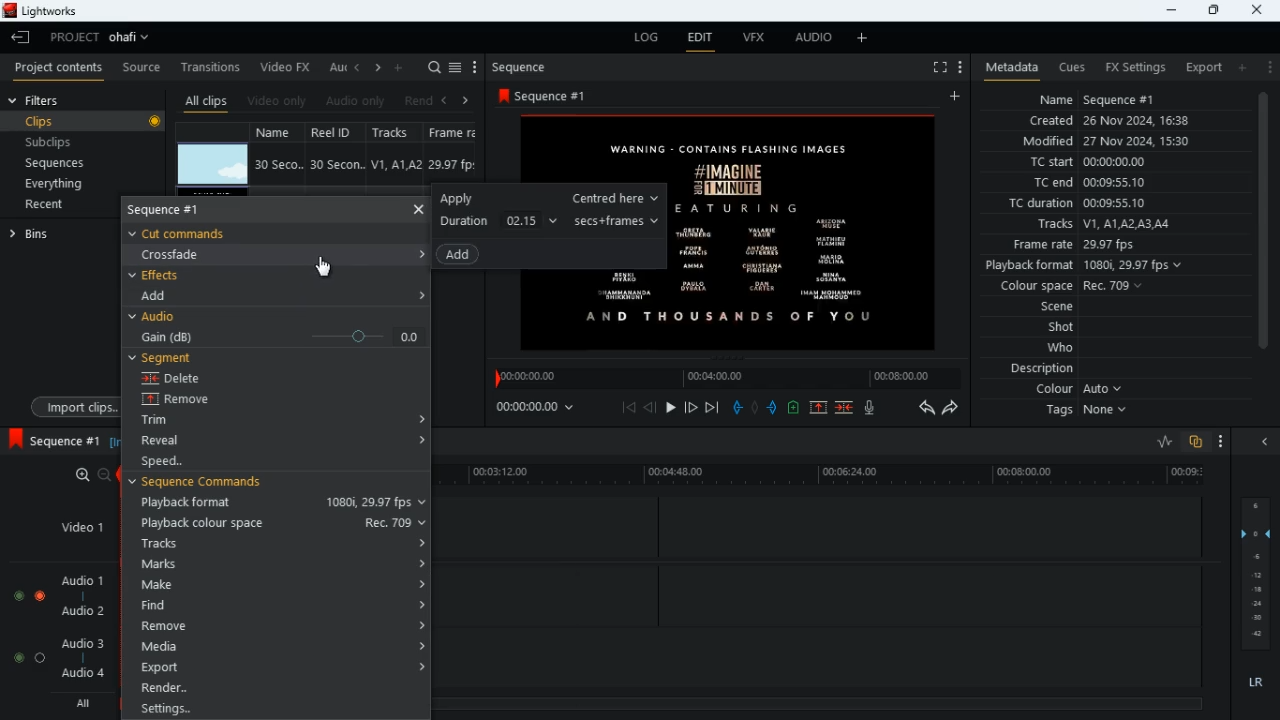 This screenshot has height=720, width=1280. What do you see at coordinates (279, 163) in the screenshot?
I see `30 seco..` at bounding box center [279, 163].